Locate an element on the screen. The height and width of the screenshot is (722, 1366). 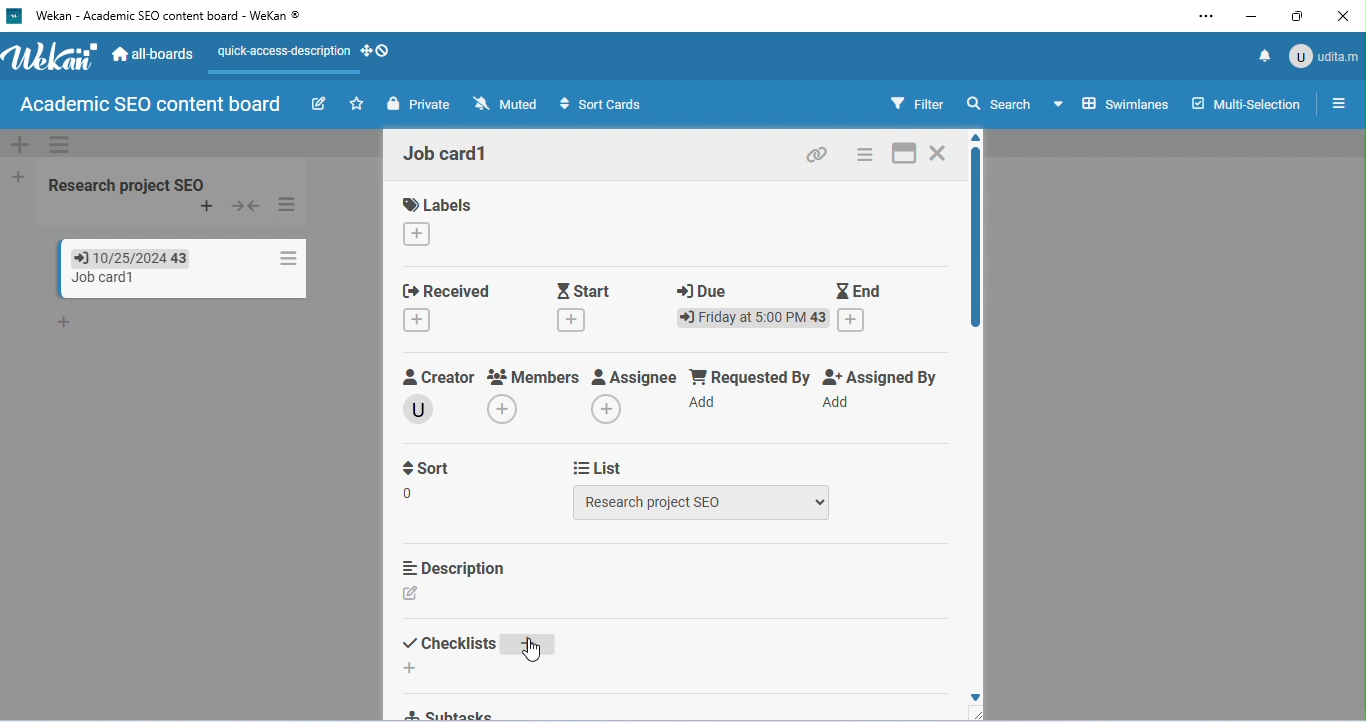
swimlane actions is located at coordinates (61, 144).